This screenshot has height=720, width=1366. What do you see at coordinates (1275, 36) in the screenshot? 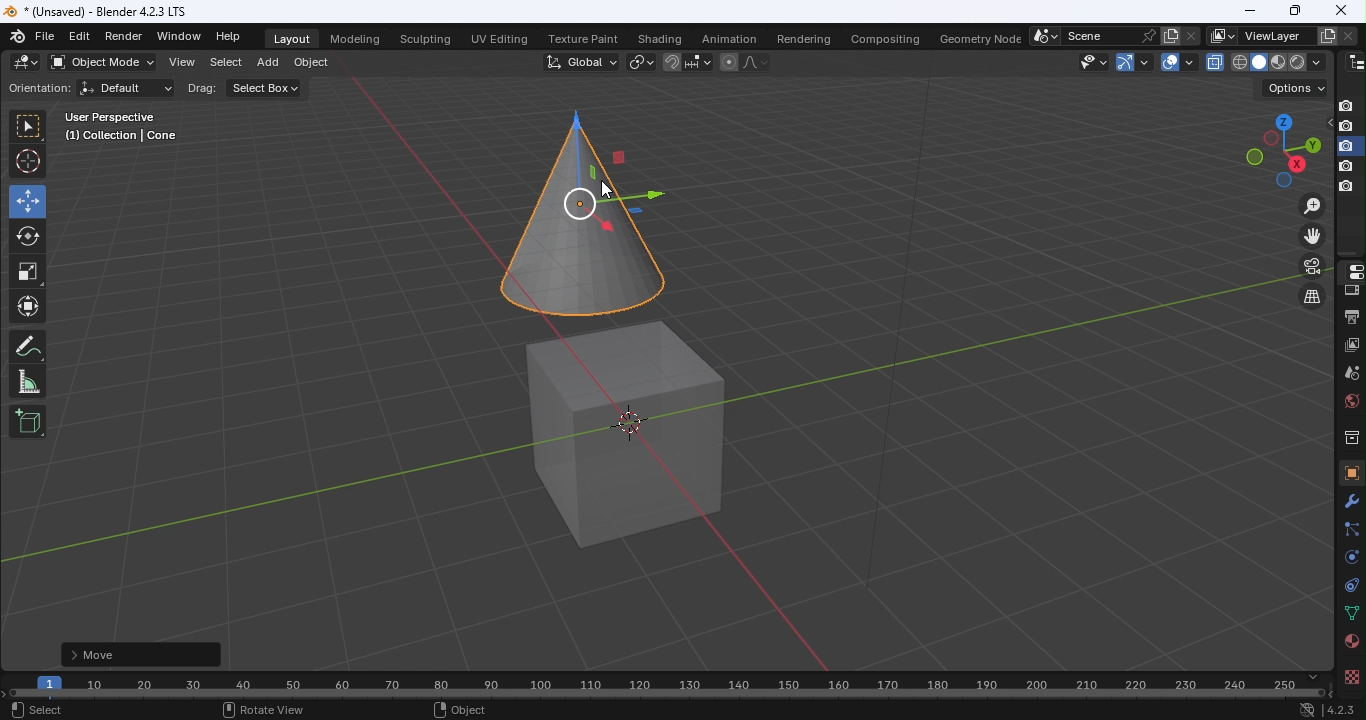
I see `Name` at bounding box center [1275, 36].